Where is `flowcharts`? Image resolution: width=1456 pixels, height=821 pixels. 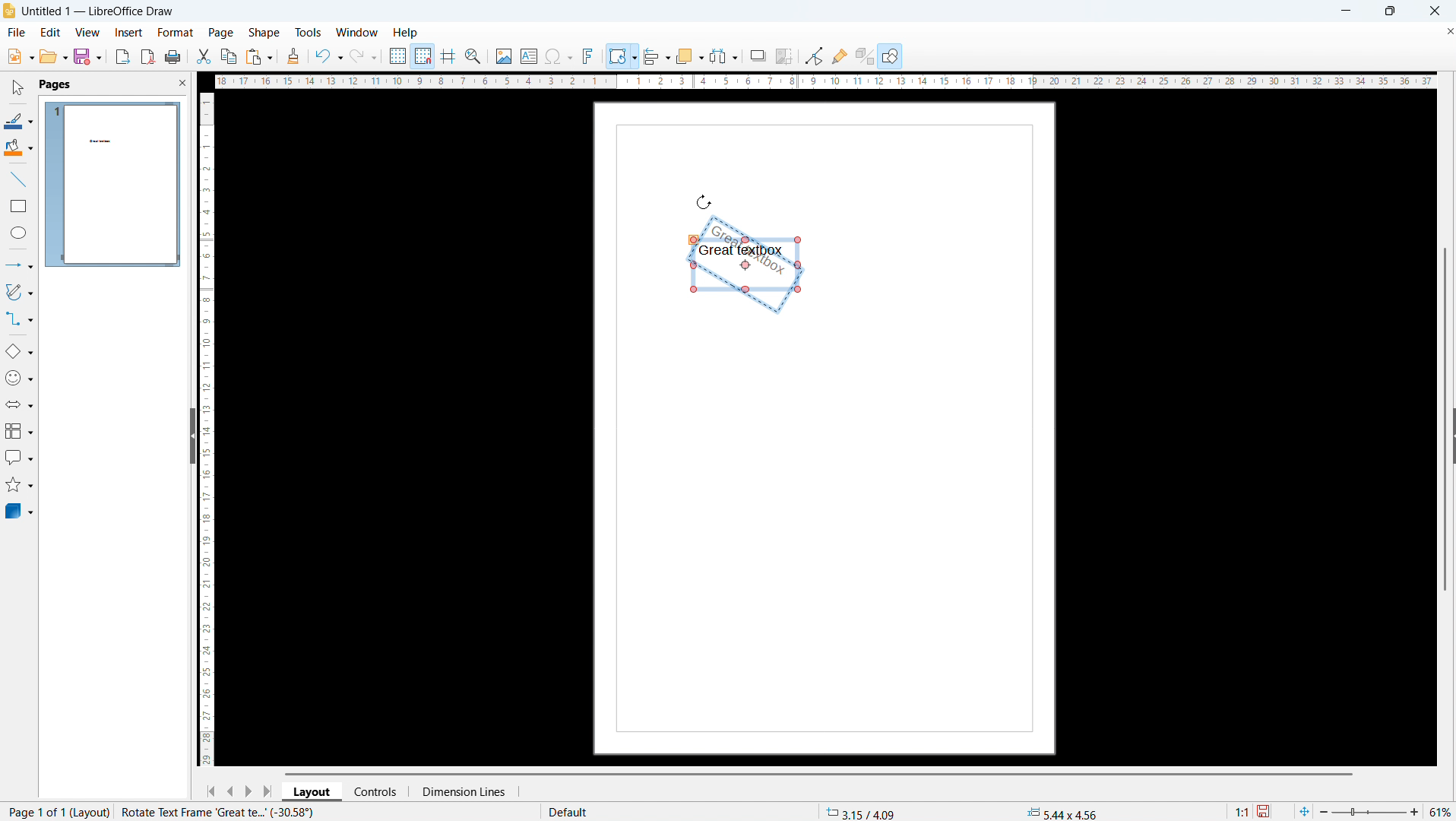
flowcharts is located at coordinates (18, 431).